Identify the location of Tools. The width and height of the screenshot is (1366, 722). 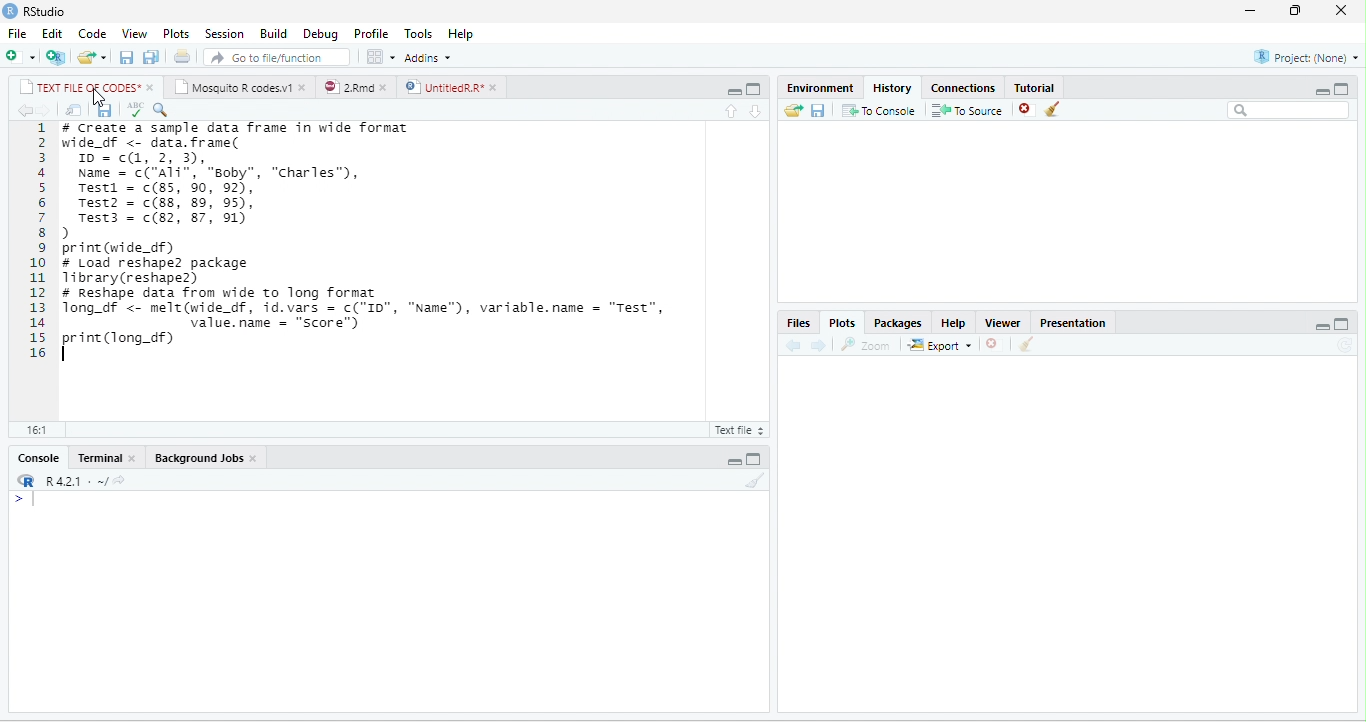
(419, 35).